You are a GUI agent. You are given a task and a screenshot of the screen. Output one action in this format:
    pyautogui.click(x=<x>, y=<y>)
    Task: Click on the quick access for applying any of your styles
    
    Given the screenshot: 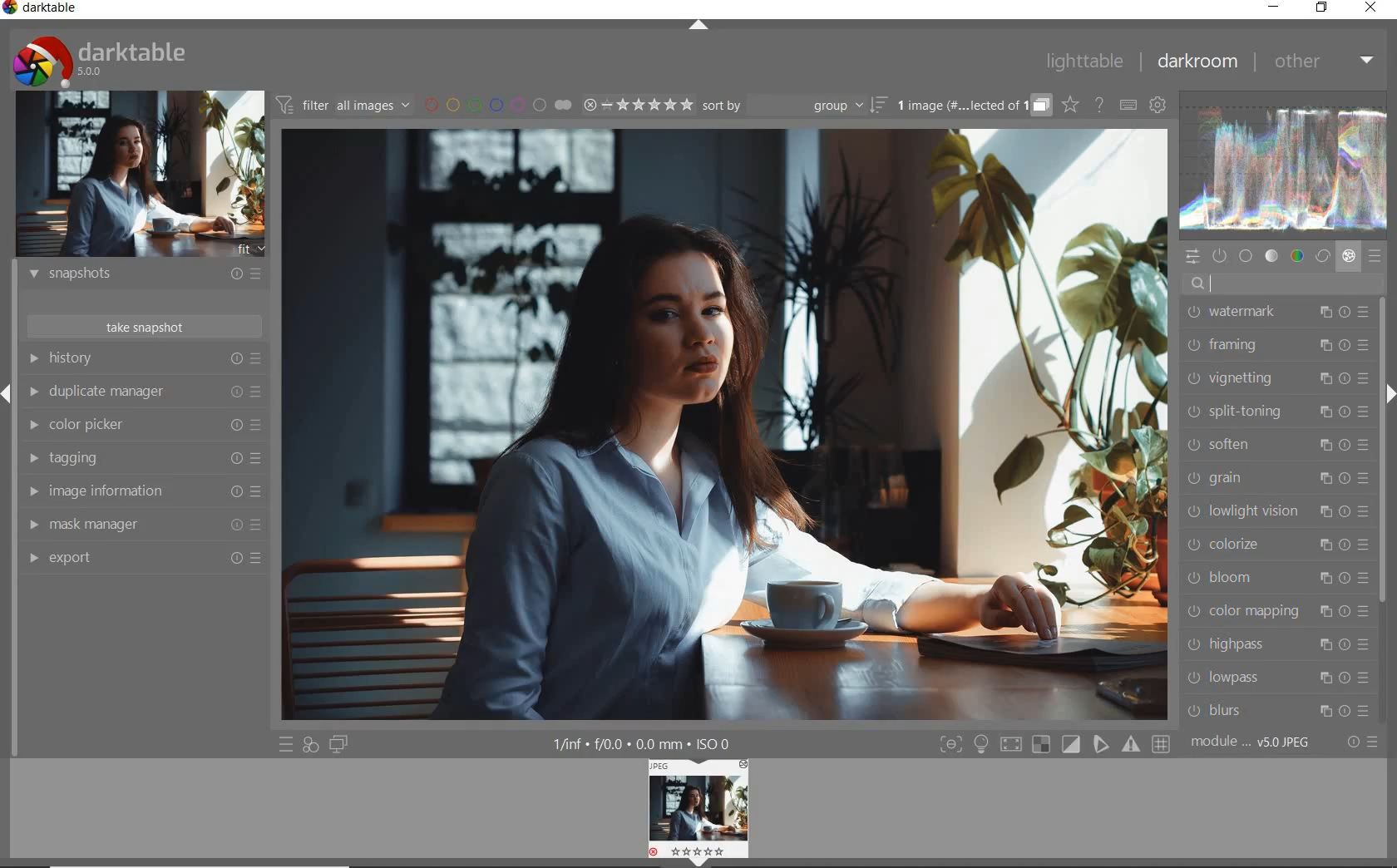 What is the action you would take?
    pyautogui.click(x=310, y=745)
    